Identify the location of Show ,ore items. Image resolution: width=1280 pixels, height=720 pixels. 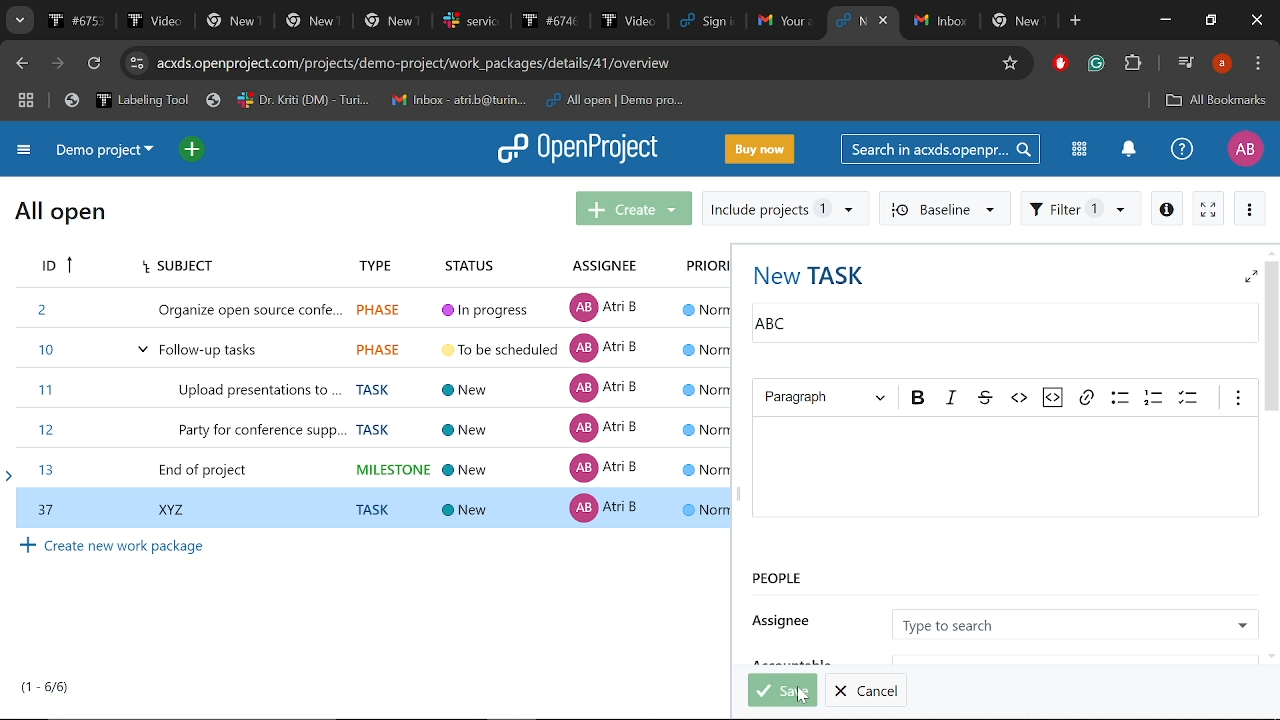
(1239, 399).